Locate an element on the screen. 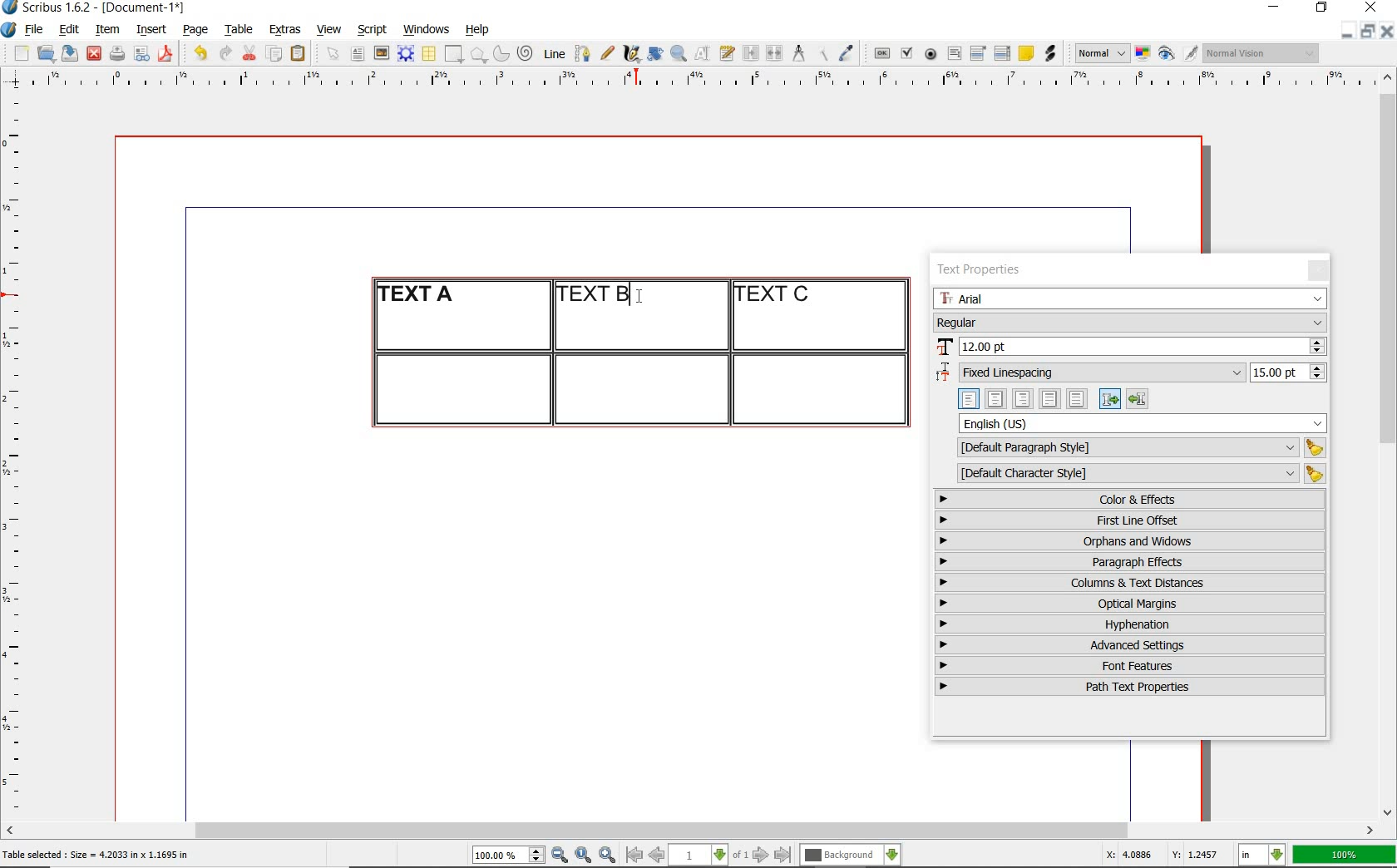 This screenshot has width=1397, height=868. save as pdf is located at coordinates (168, 53).